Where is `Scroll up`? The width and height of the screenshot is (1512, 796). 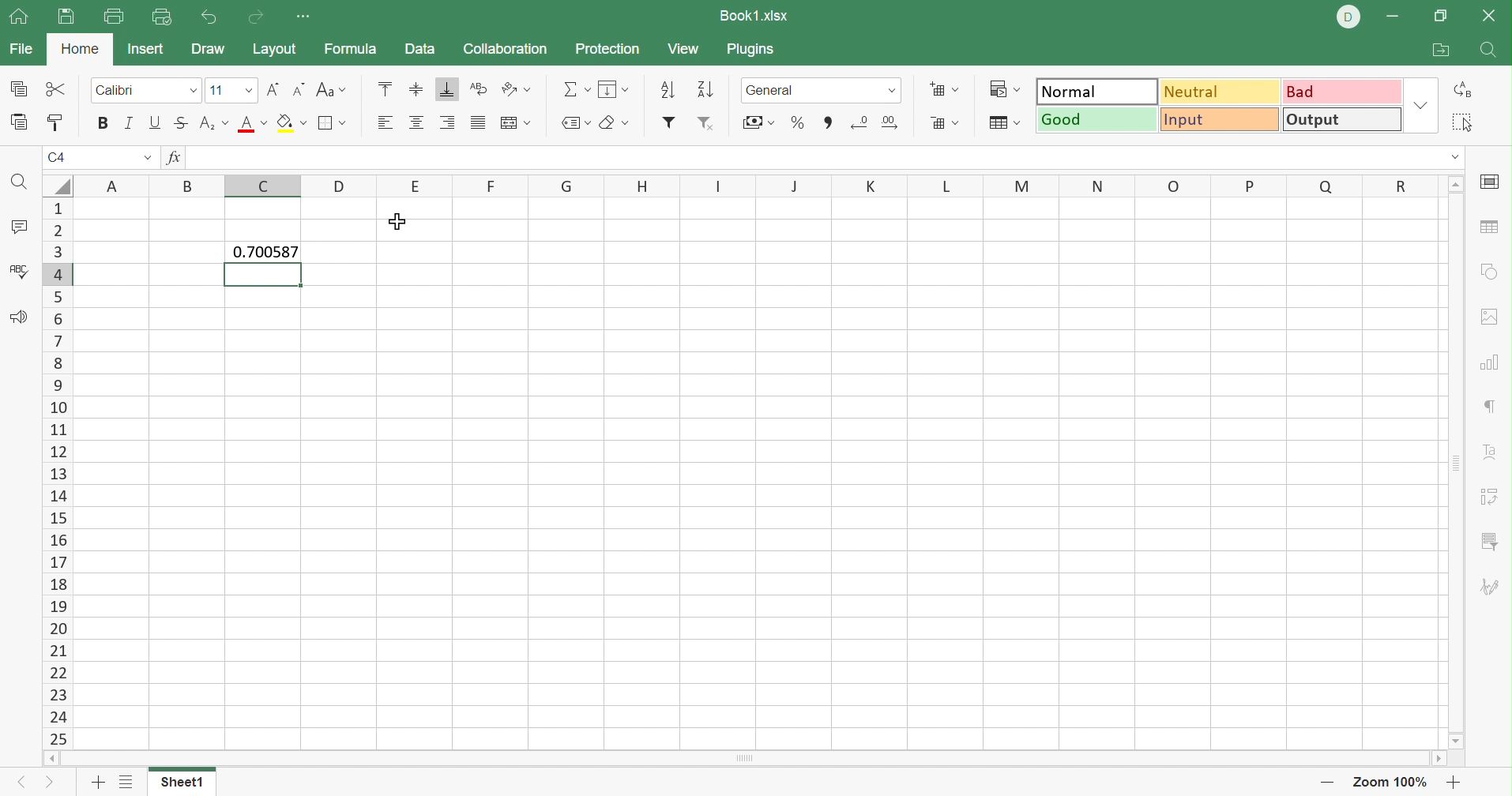 Scroll up is located at coordinates (1454, 183).